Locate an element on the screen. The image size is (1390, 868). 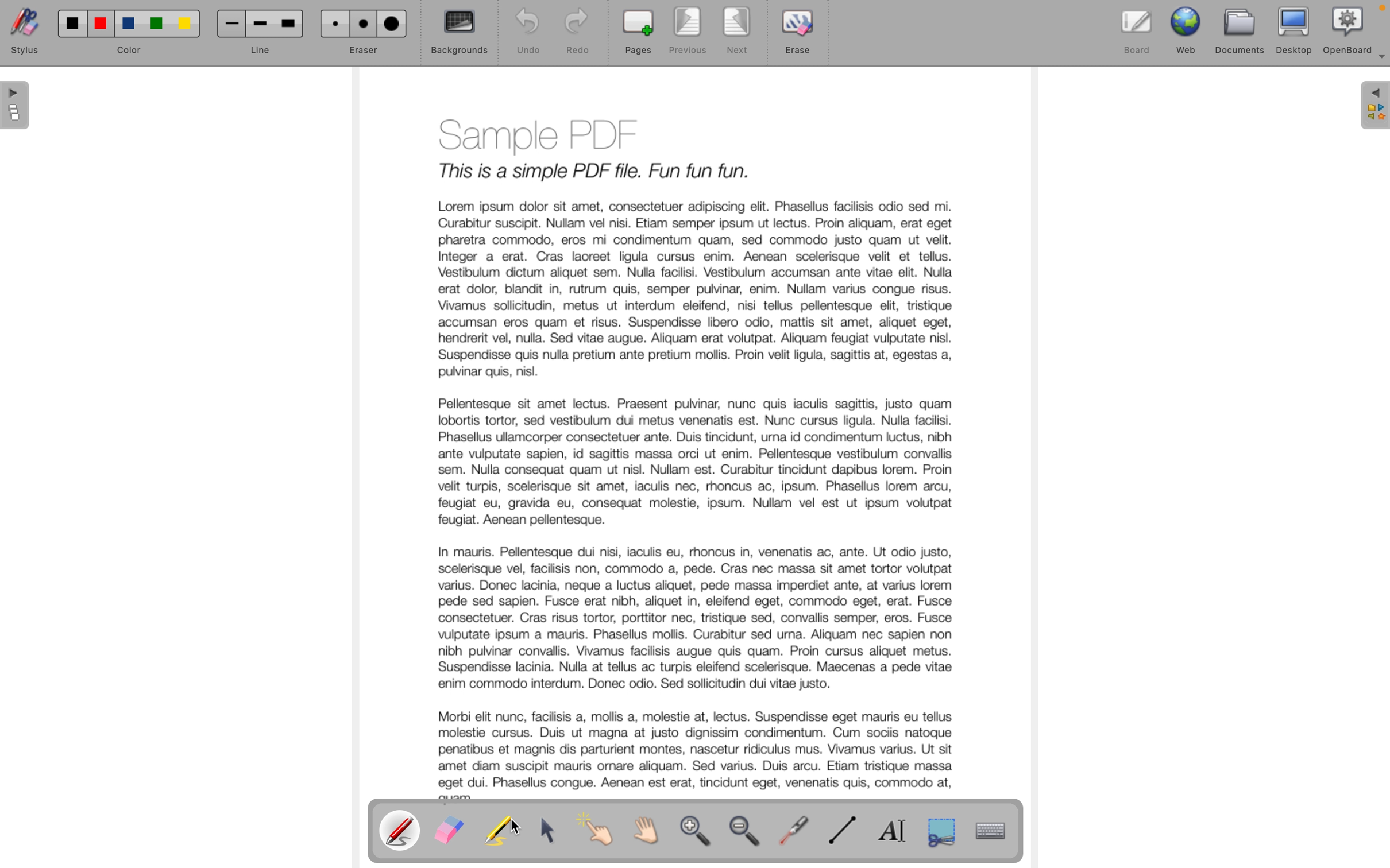
web is located at coordinates (1188, 29).